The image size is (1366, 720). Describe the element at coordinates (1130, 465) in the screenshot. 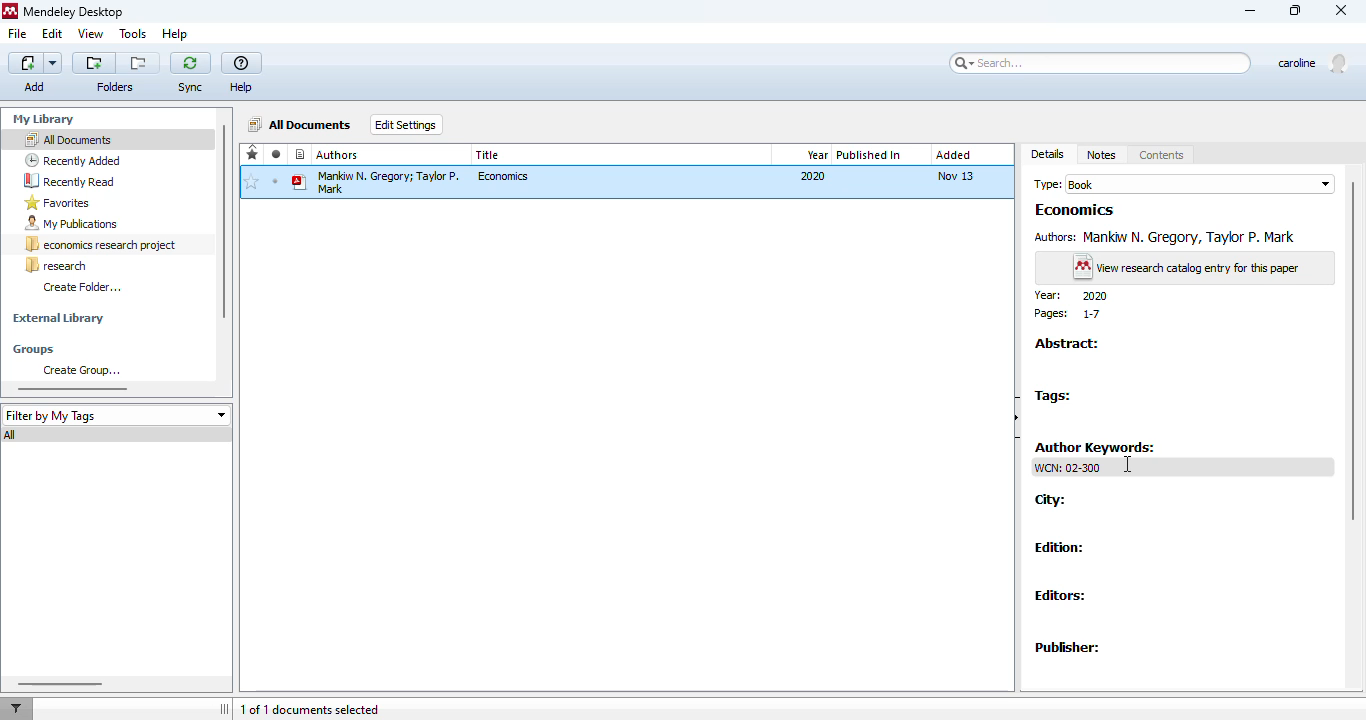

I see `cursor` at that location.